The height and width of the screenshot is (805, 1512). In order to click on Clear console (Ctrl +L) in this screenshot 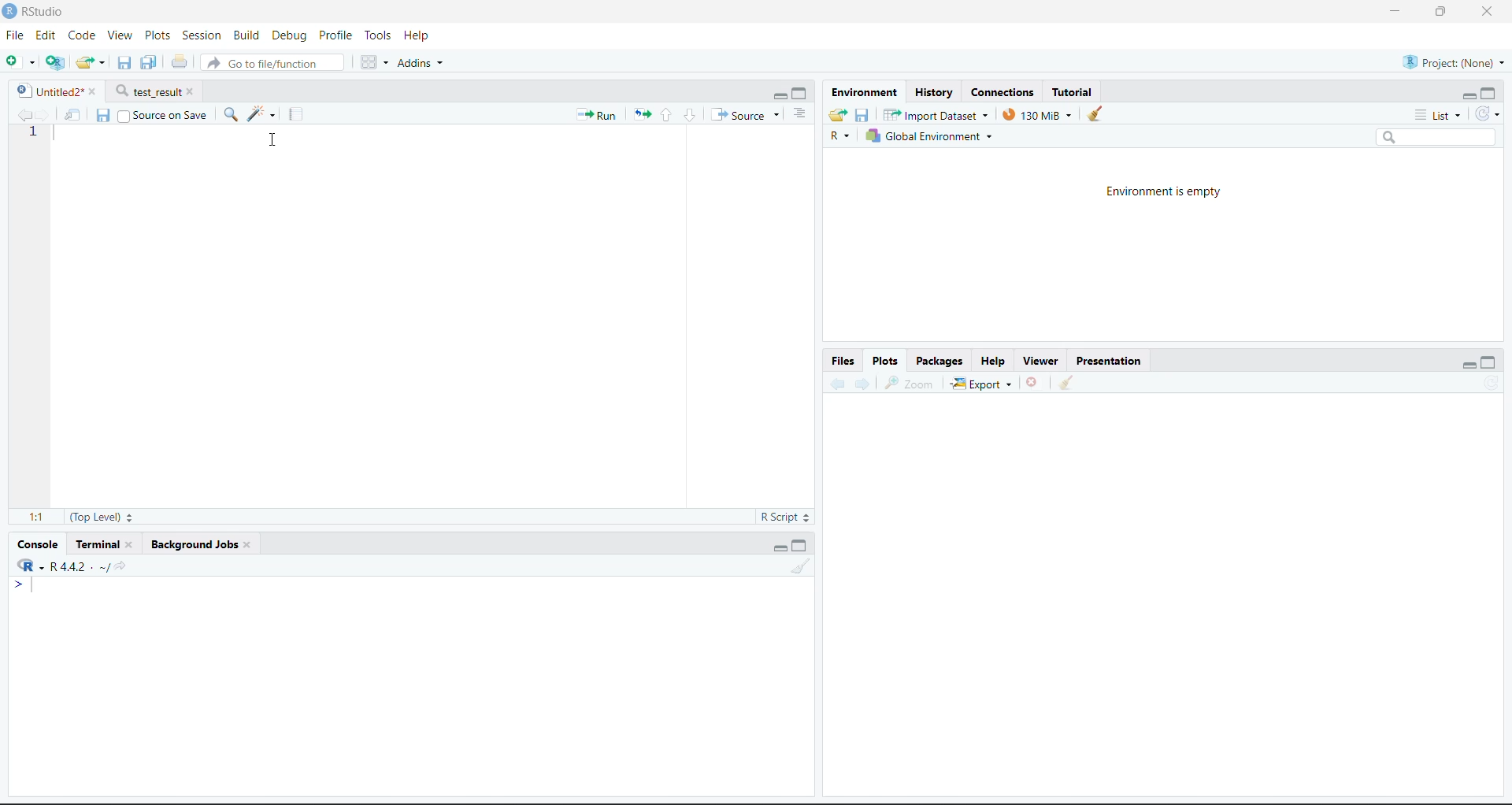, I will do `click(1071, 380)`.